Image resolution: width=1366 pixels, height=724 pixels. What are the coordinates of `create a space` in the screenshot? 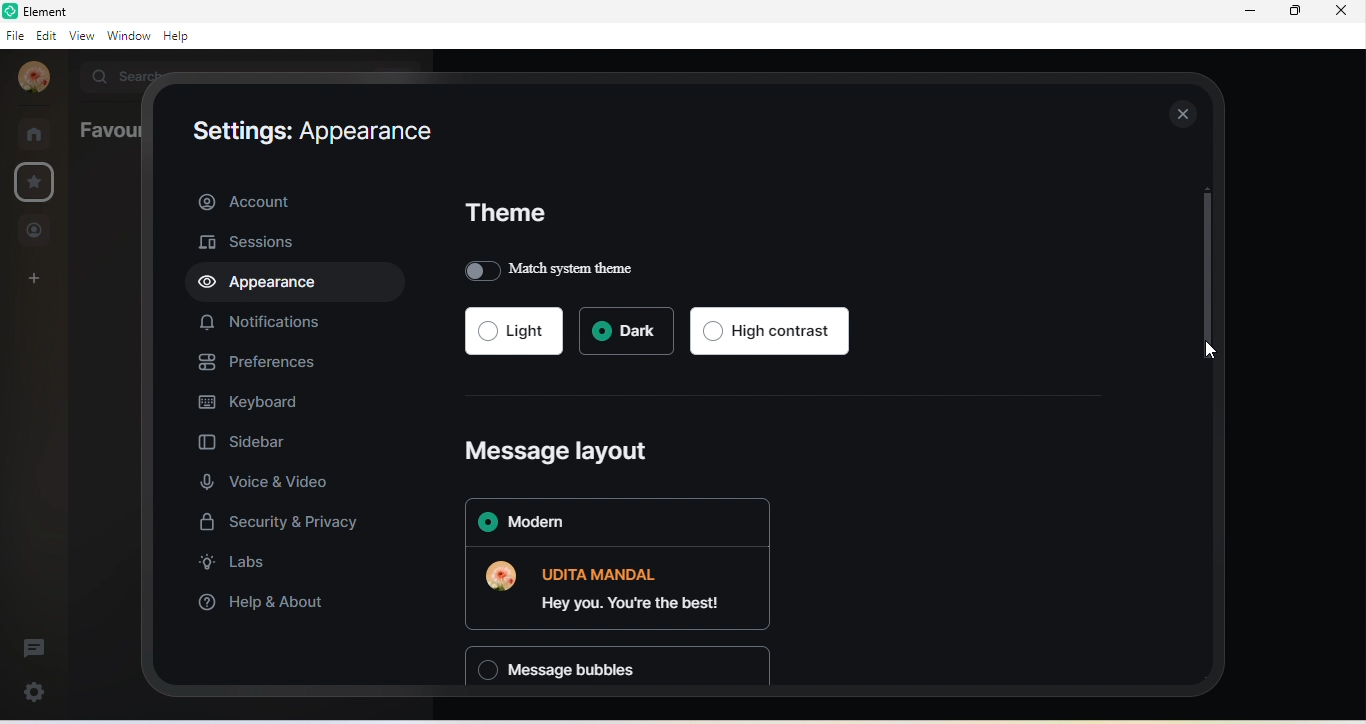 It's located at (35, 280).